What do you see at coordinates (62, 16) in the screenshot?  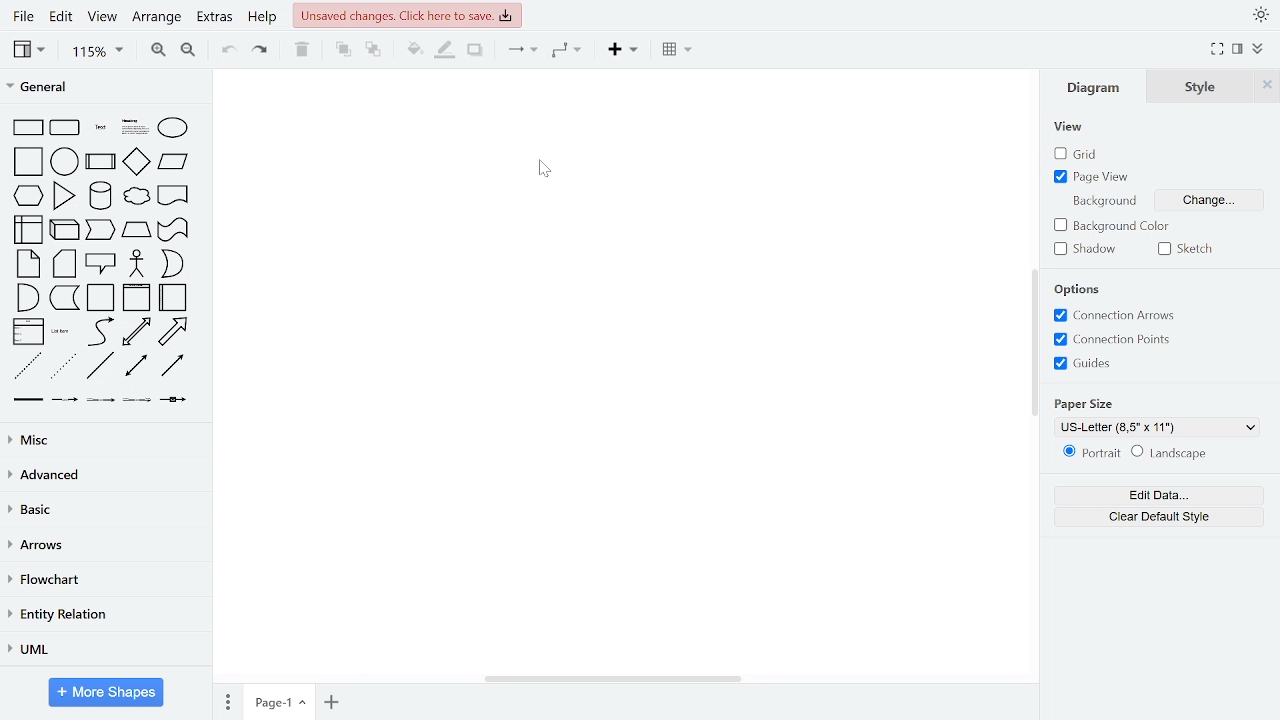 I see `edit` at bounding box center [62, 16].